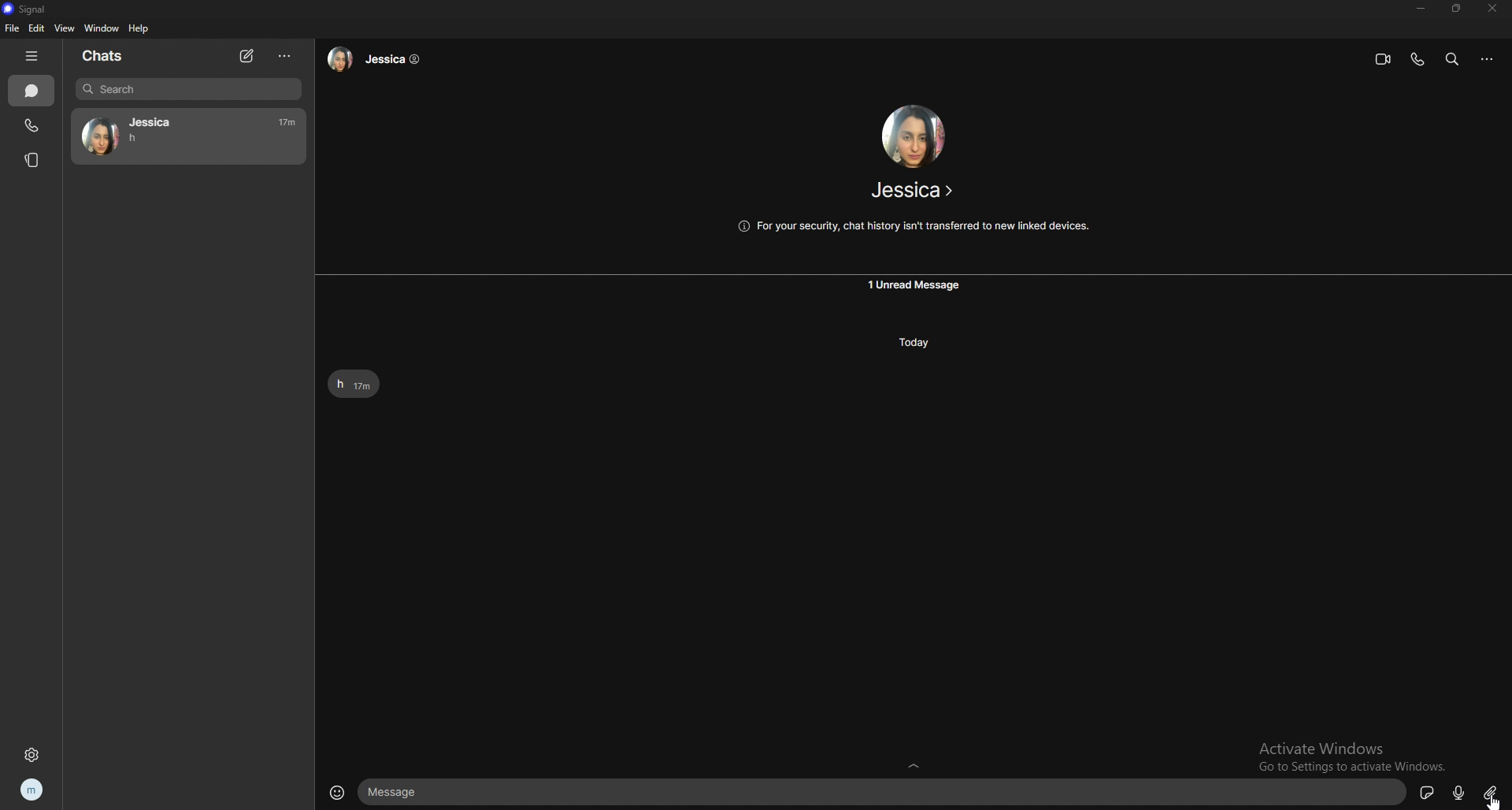 The image size is (1512, 810). Describe the element at coordinates (916, 285) in the screenshot. I see `1 unread message` at that location.